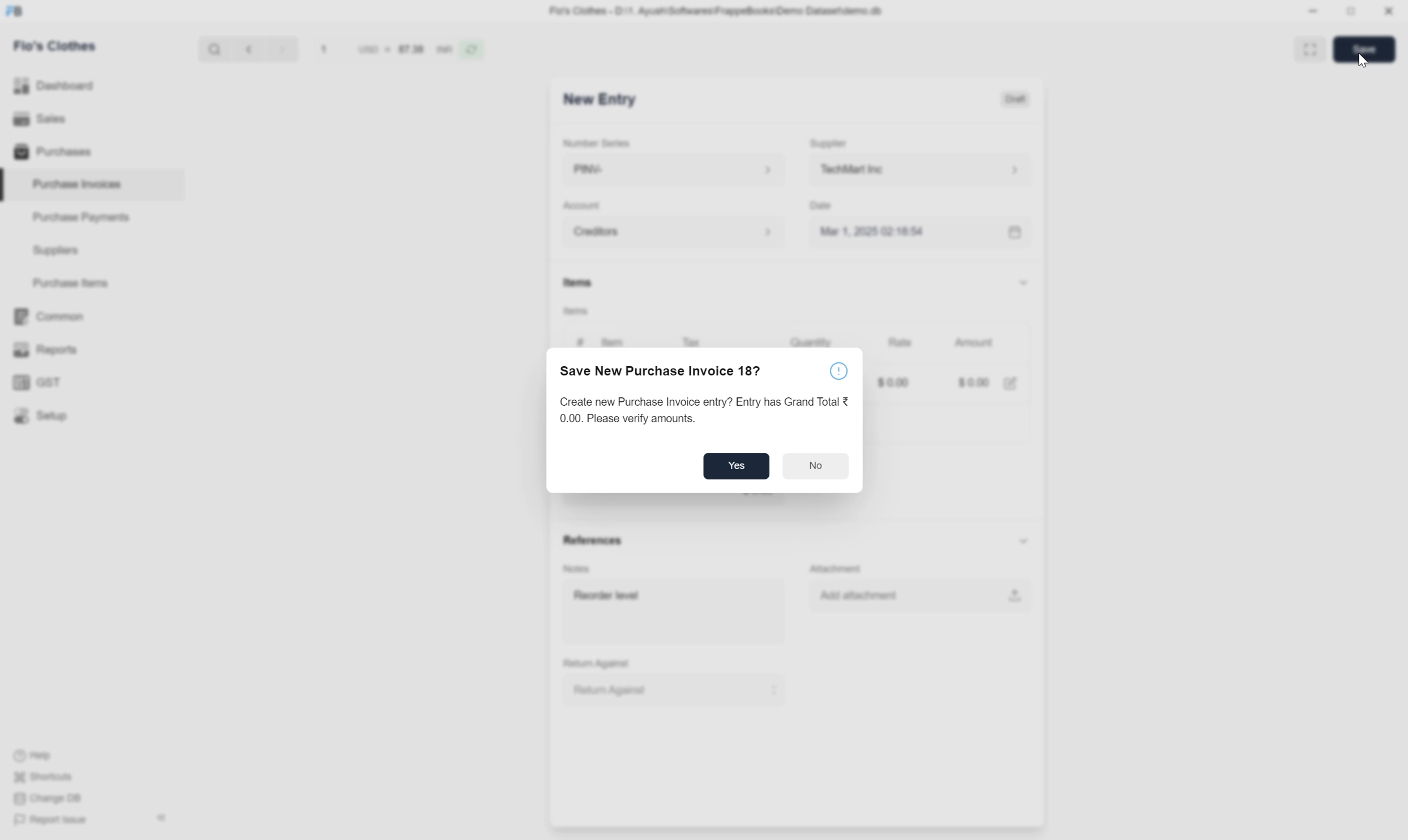 Image resolution: width=1408 pixels, height=840 pixels. Describe the element at coordinates (818, 466) in the screenshot. I see `No` at that location.